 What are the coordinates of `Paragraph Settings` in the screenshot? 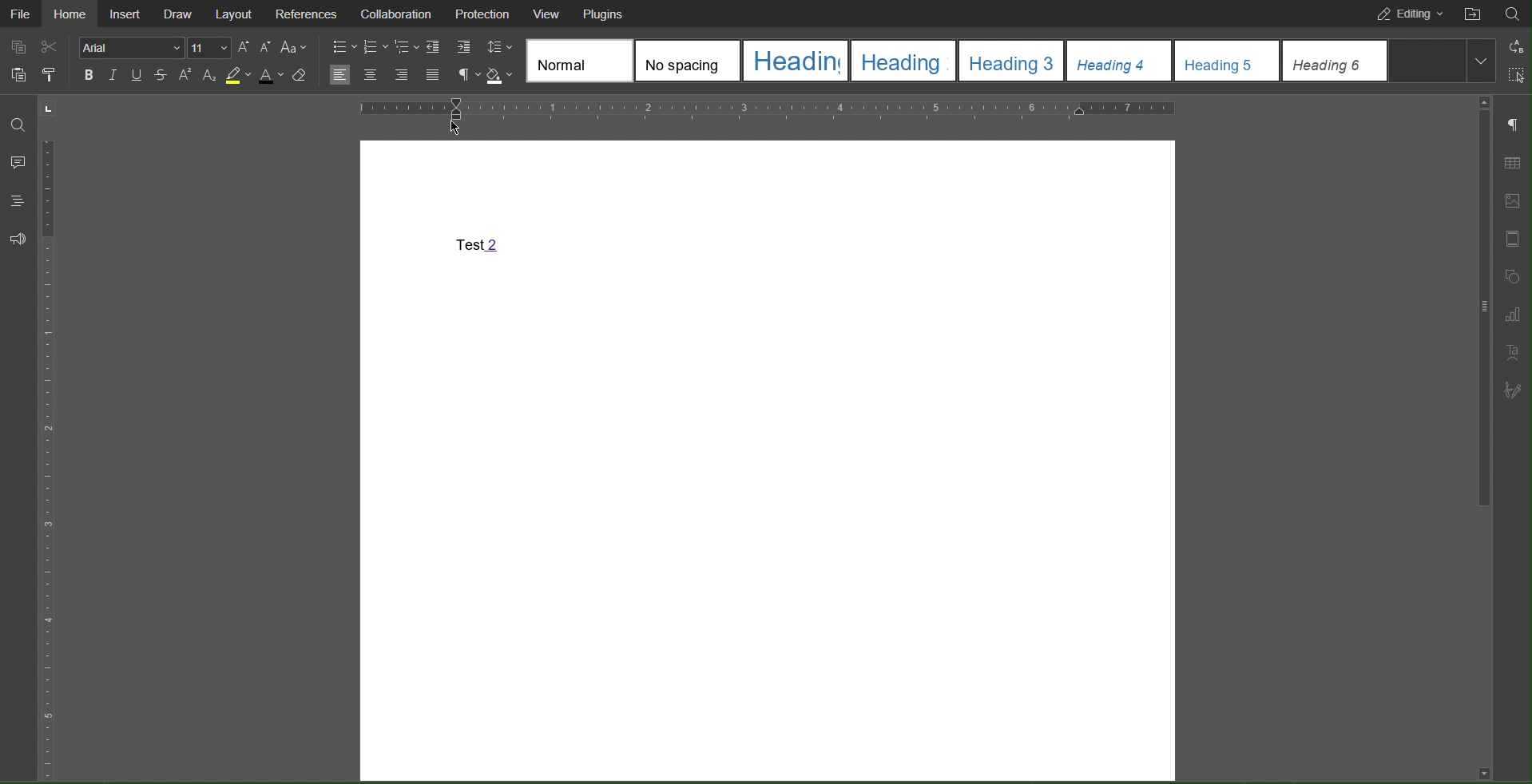 It's located at (1514, 125).